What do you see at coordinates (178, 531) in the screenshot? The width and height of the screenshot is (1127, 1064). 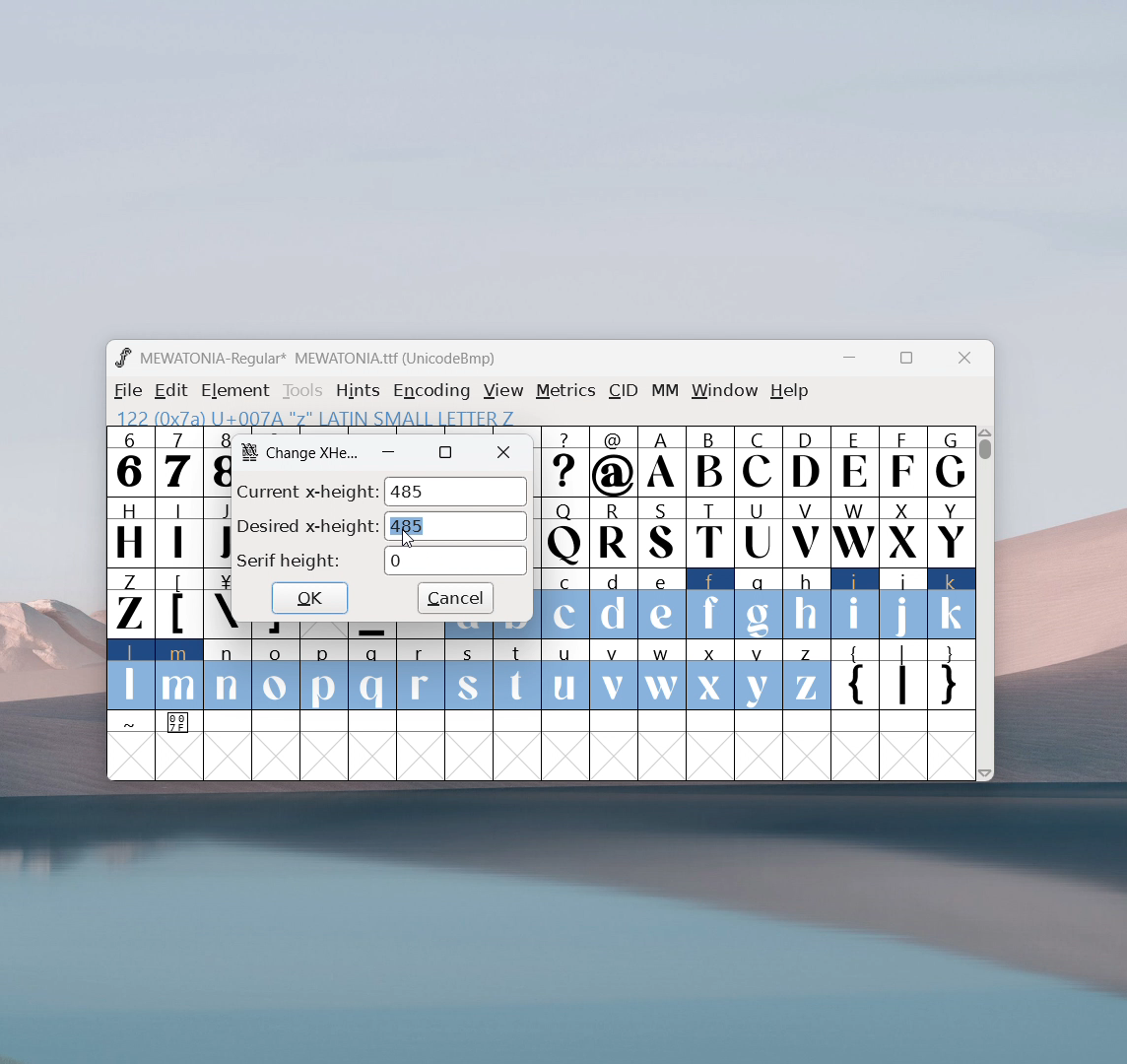 I see `I` at bounding box center [178, 531].